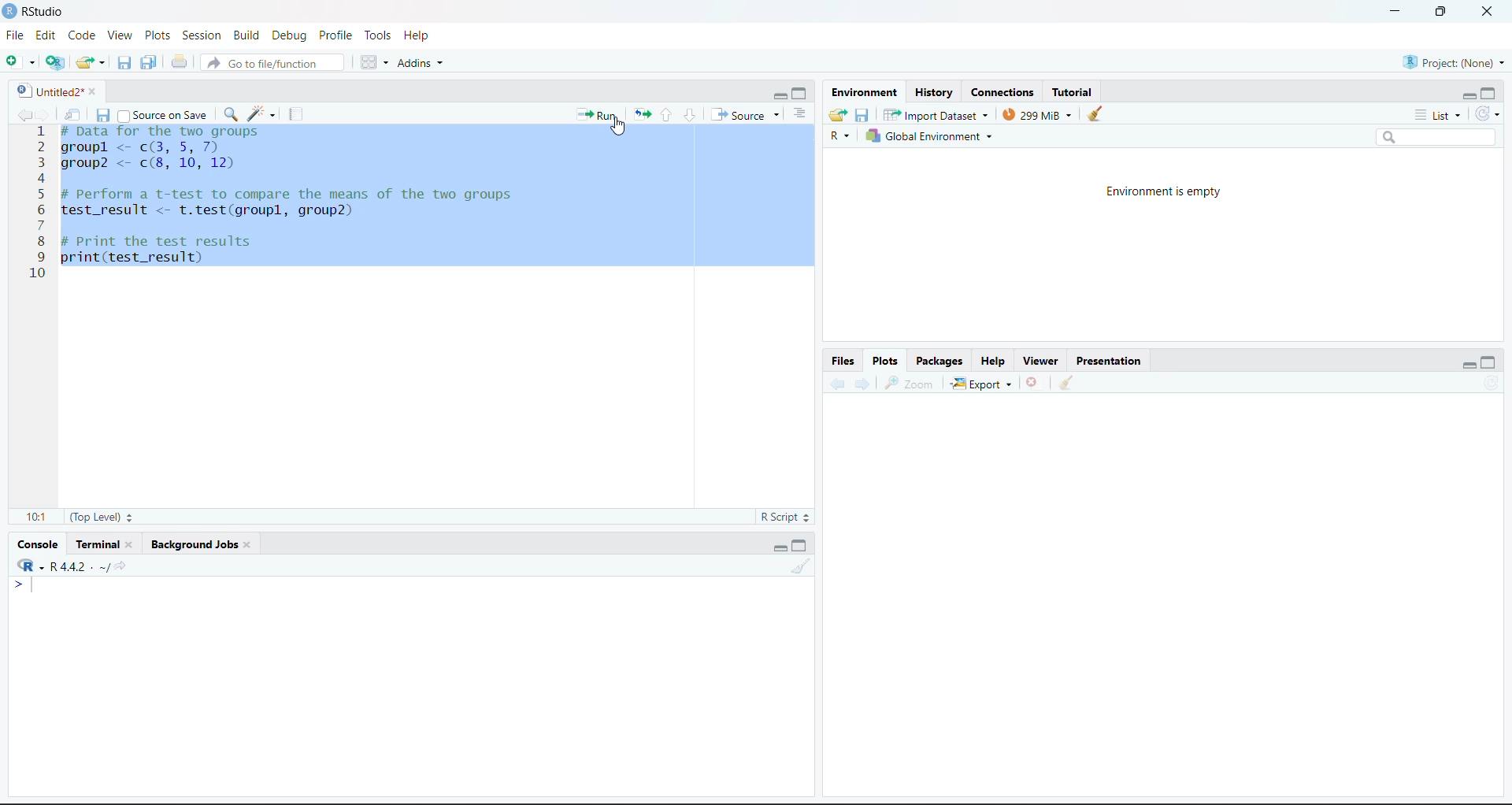 This screenshot has height=805, width=1512. I want to click on source, so click(747, 115).